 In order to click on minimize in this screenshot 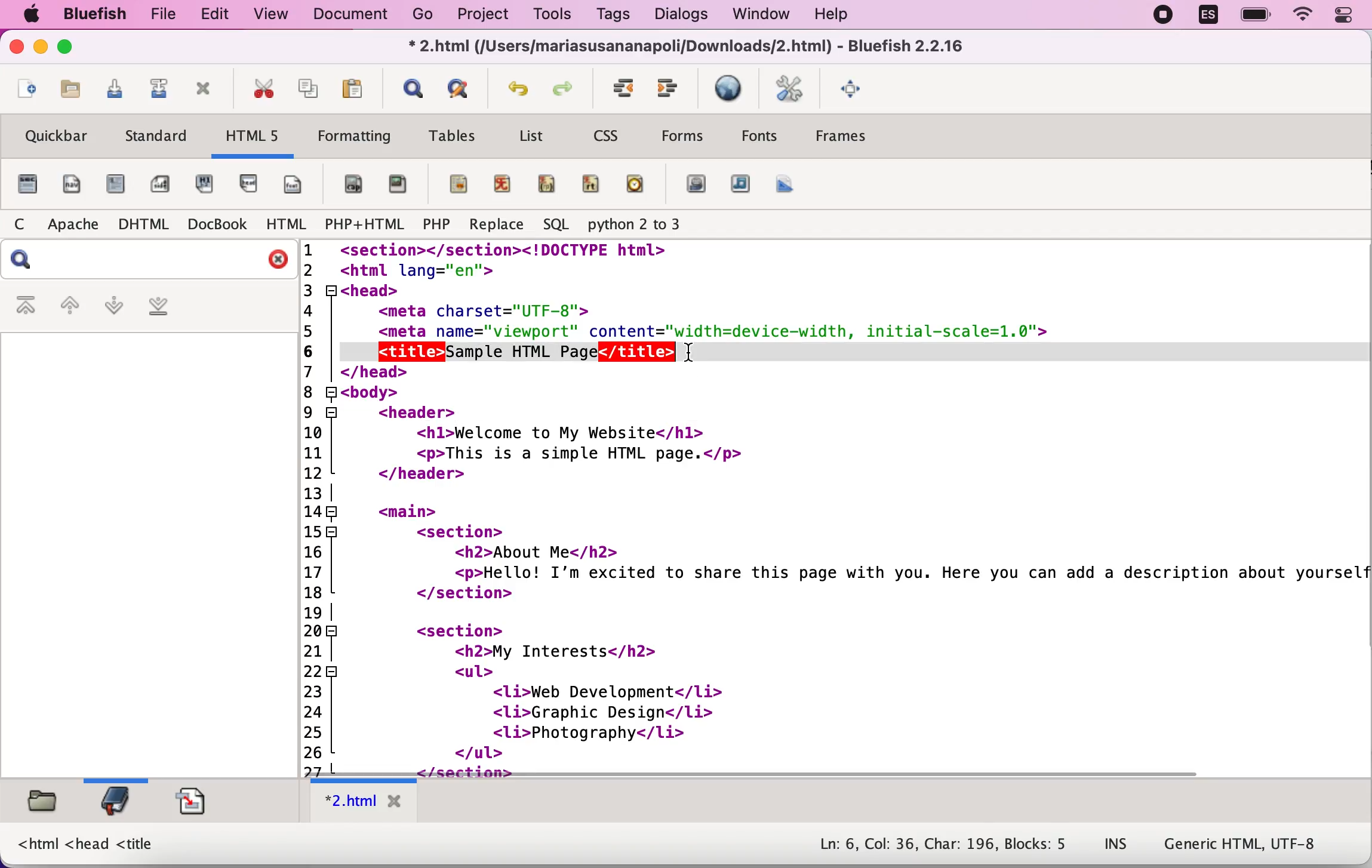, I will do `click(41, 49)`.